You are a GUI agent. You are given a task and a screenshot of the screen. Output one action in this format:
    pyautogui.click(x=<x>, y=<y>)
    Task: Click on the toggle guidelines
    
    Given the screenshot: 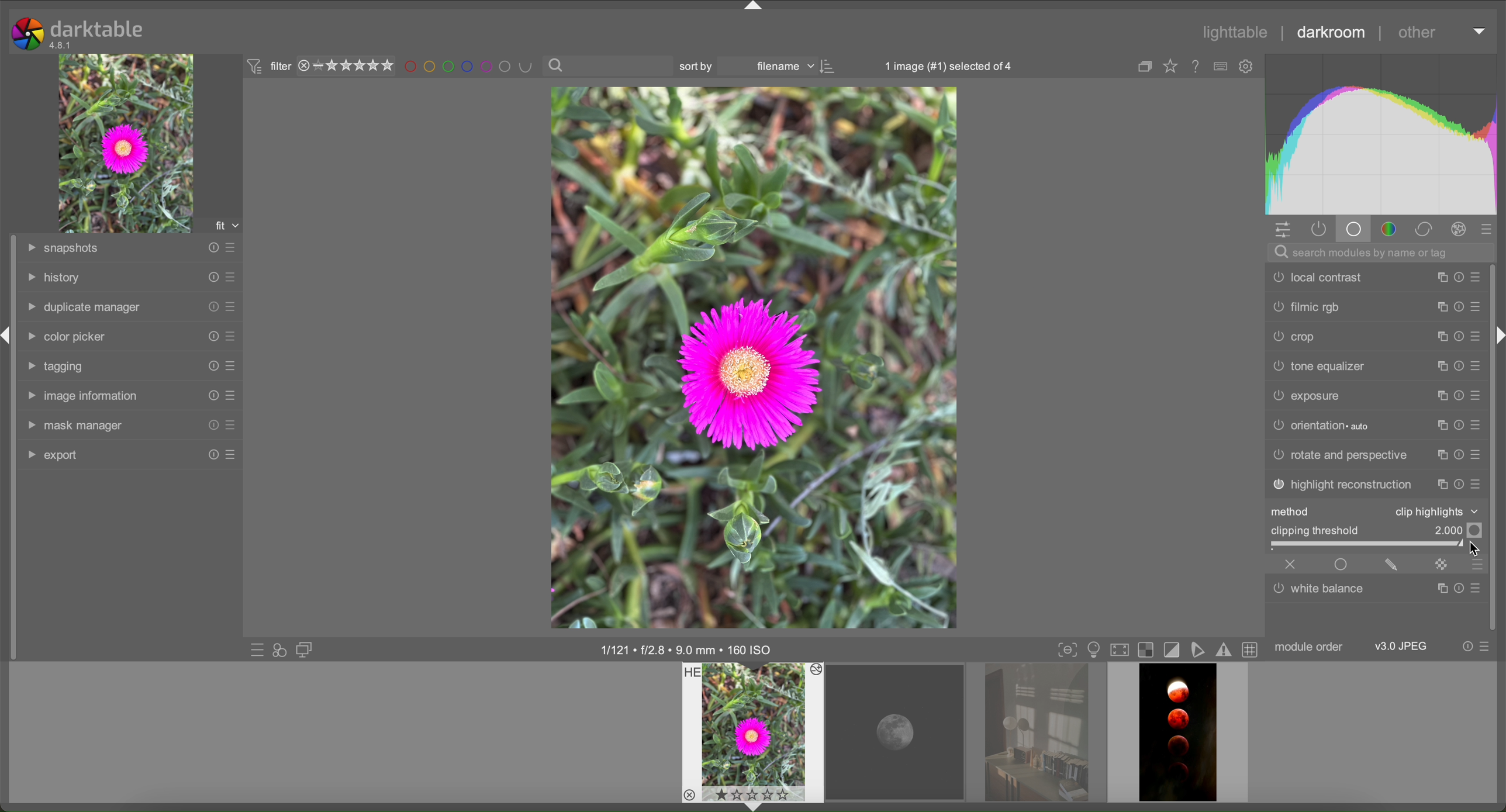 What is the action you would take?
    pyautogui.click(x=1253, y=651)
    